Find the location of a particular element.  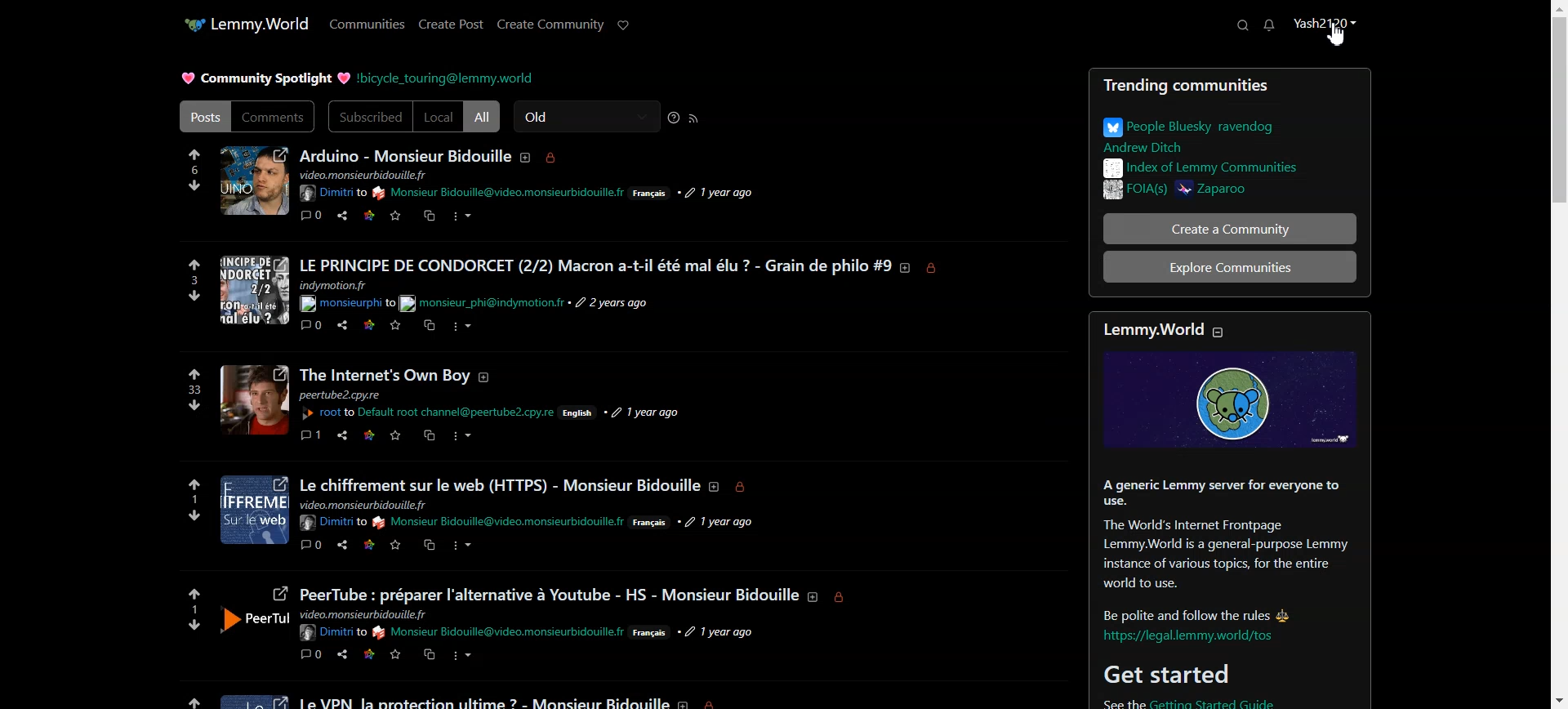

save is located at coordinates (396, 437).